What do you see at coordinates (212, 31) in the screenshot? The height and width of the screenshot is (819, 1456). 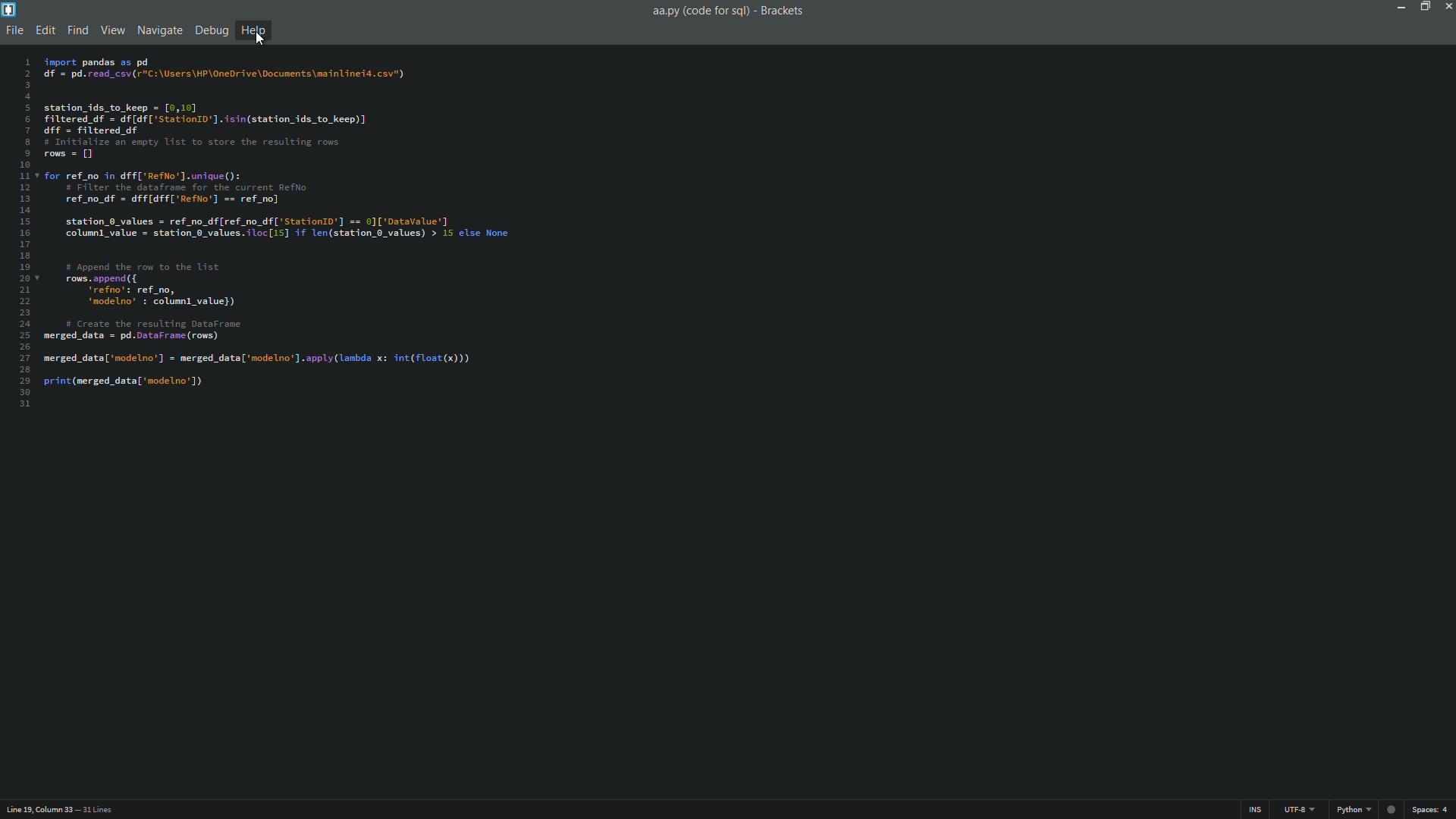 I see `debug menu` at bounding box center [212, 31].